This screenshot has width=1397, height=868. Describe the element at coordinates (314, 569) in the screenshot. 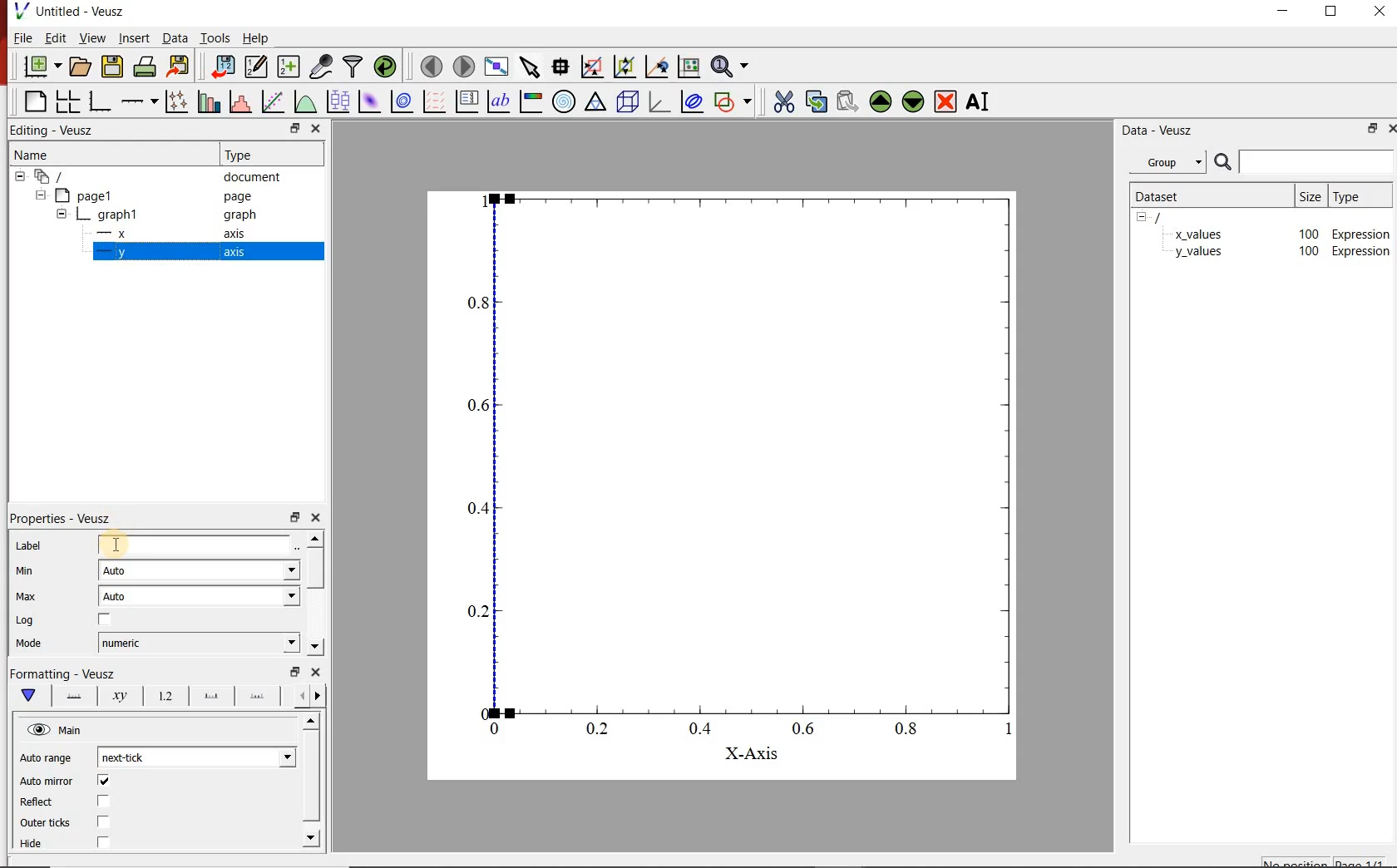

I see `vertical scrollbar` at that location.